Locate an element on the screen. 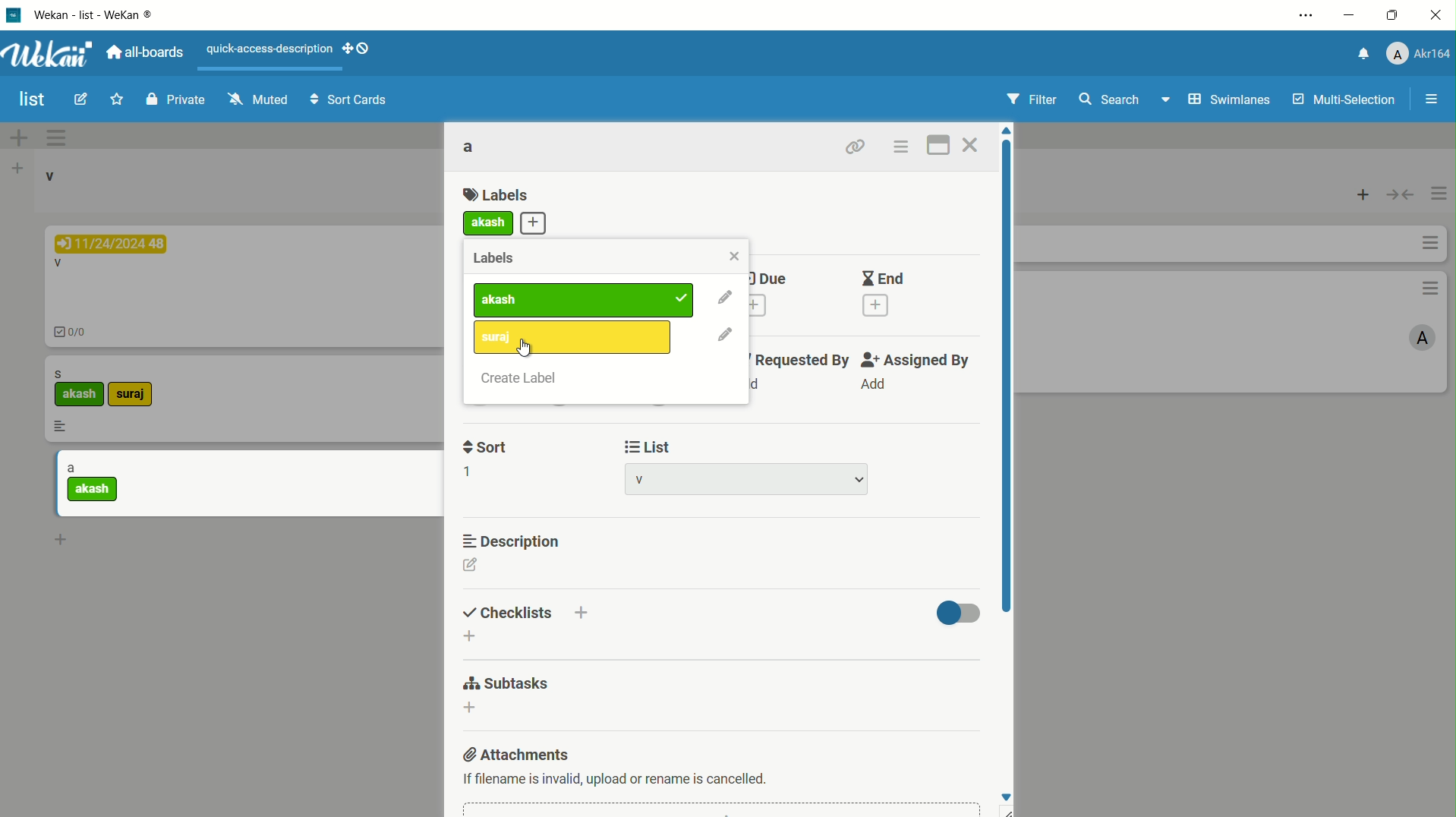 The image size is (1456, 817). app logo is located at coordinates (49, 52).